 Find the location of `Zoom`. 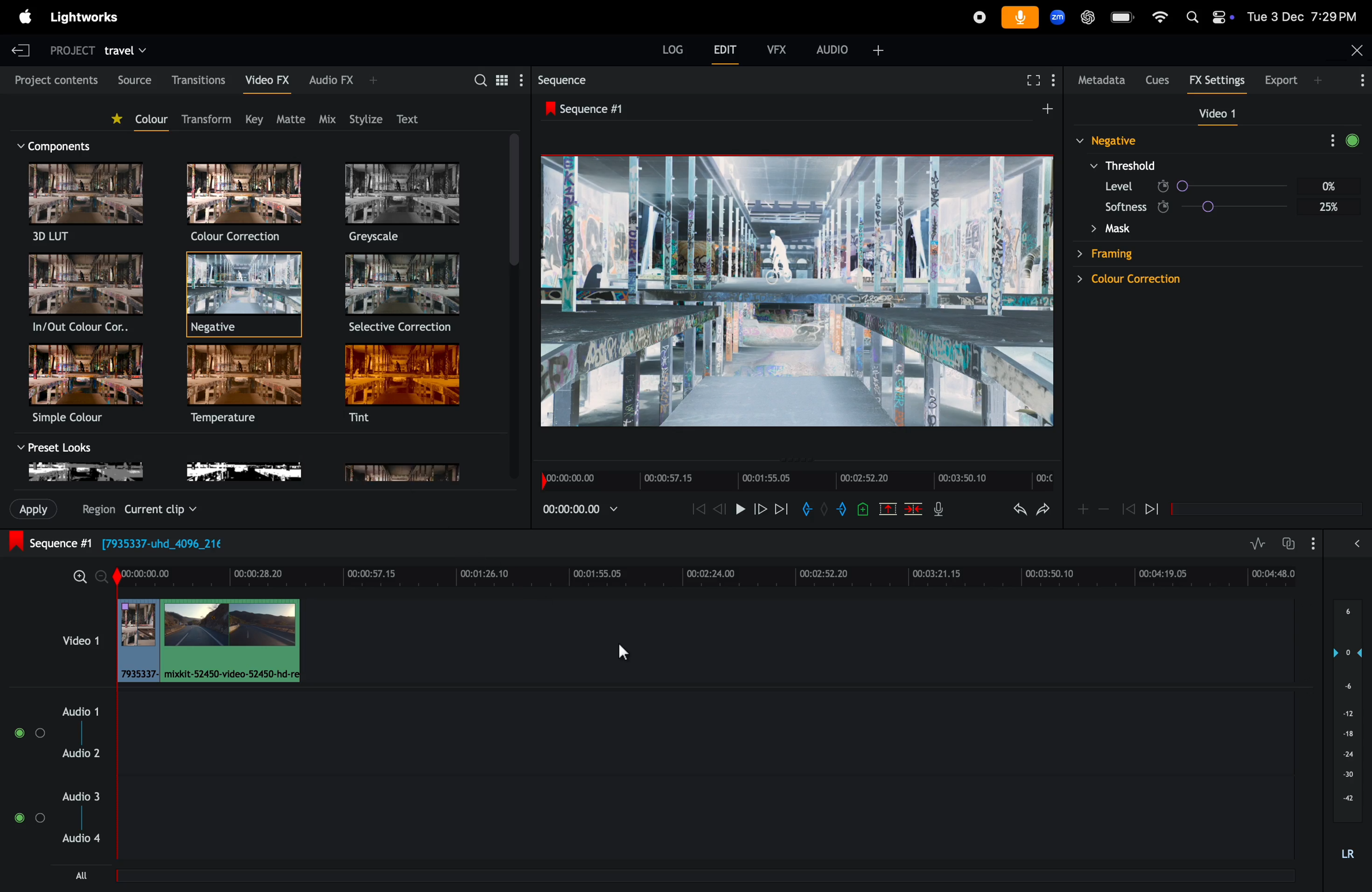

Zoom is located at coordinates (1060, 17).